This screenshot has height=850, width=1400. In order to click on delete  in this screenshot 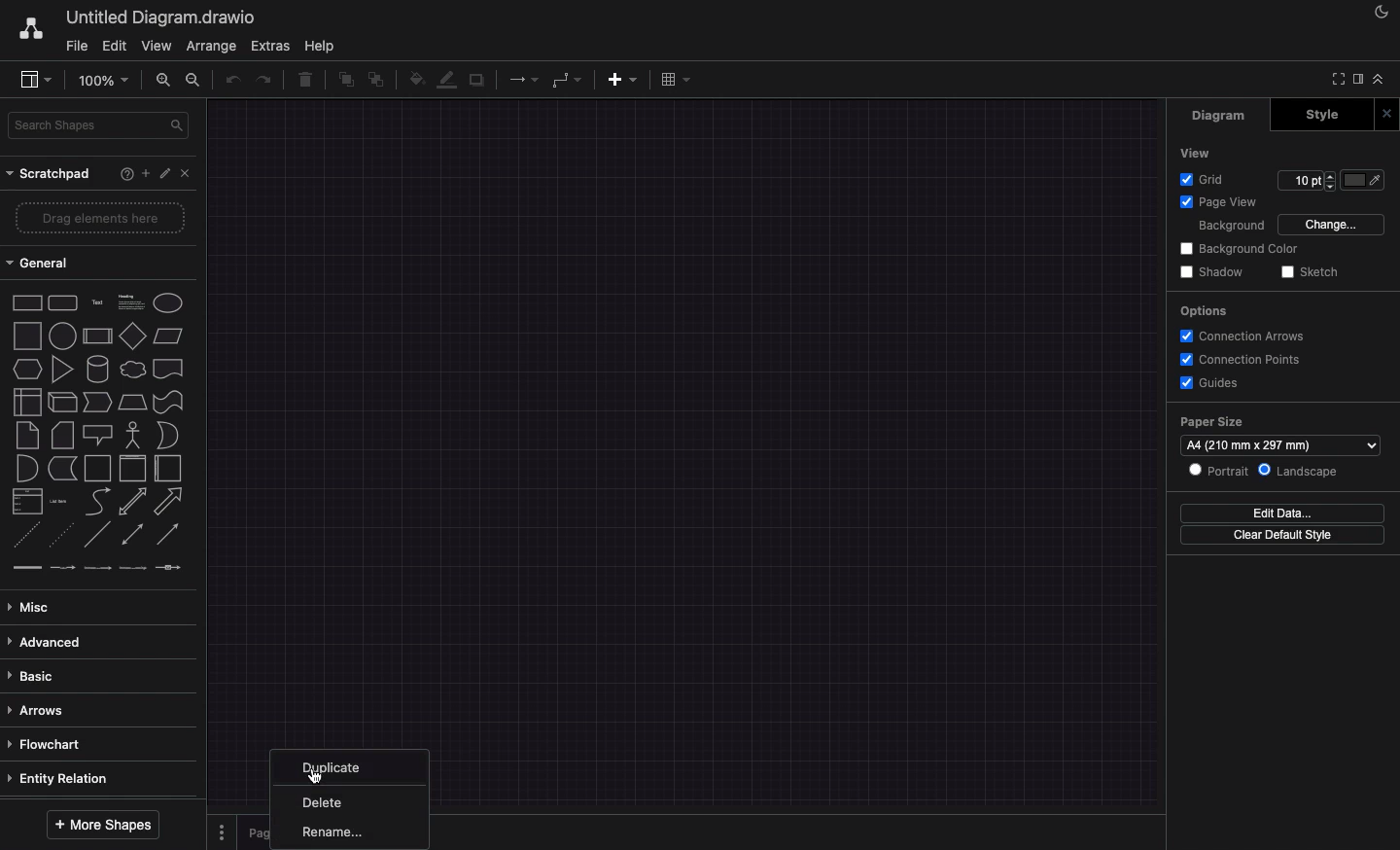, I will do `click(349, 801)`.